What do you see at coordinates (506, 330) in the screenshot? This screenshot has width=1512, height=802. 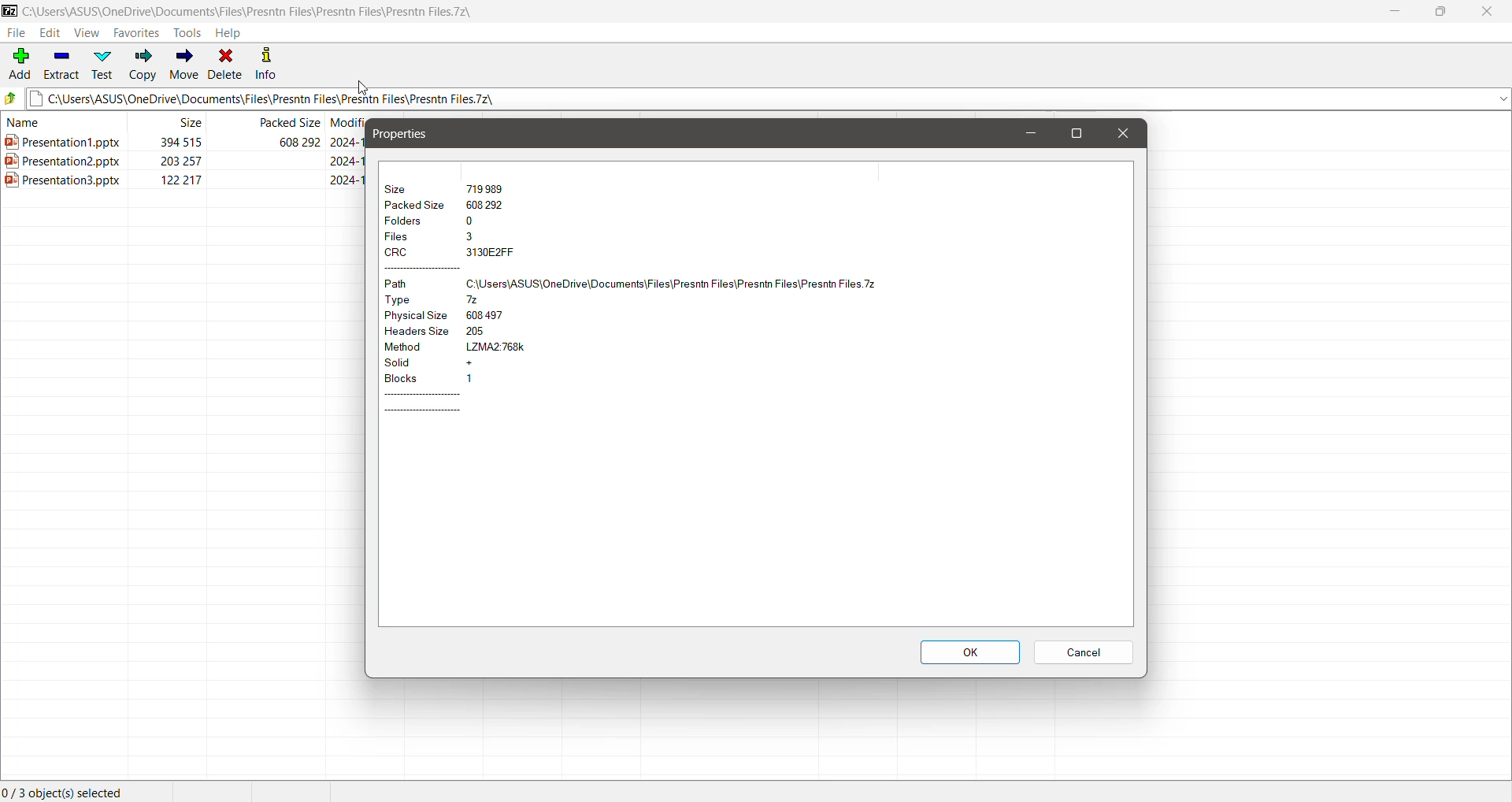 I see `205` at bounding box center [506, 330].